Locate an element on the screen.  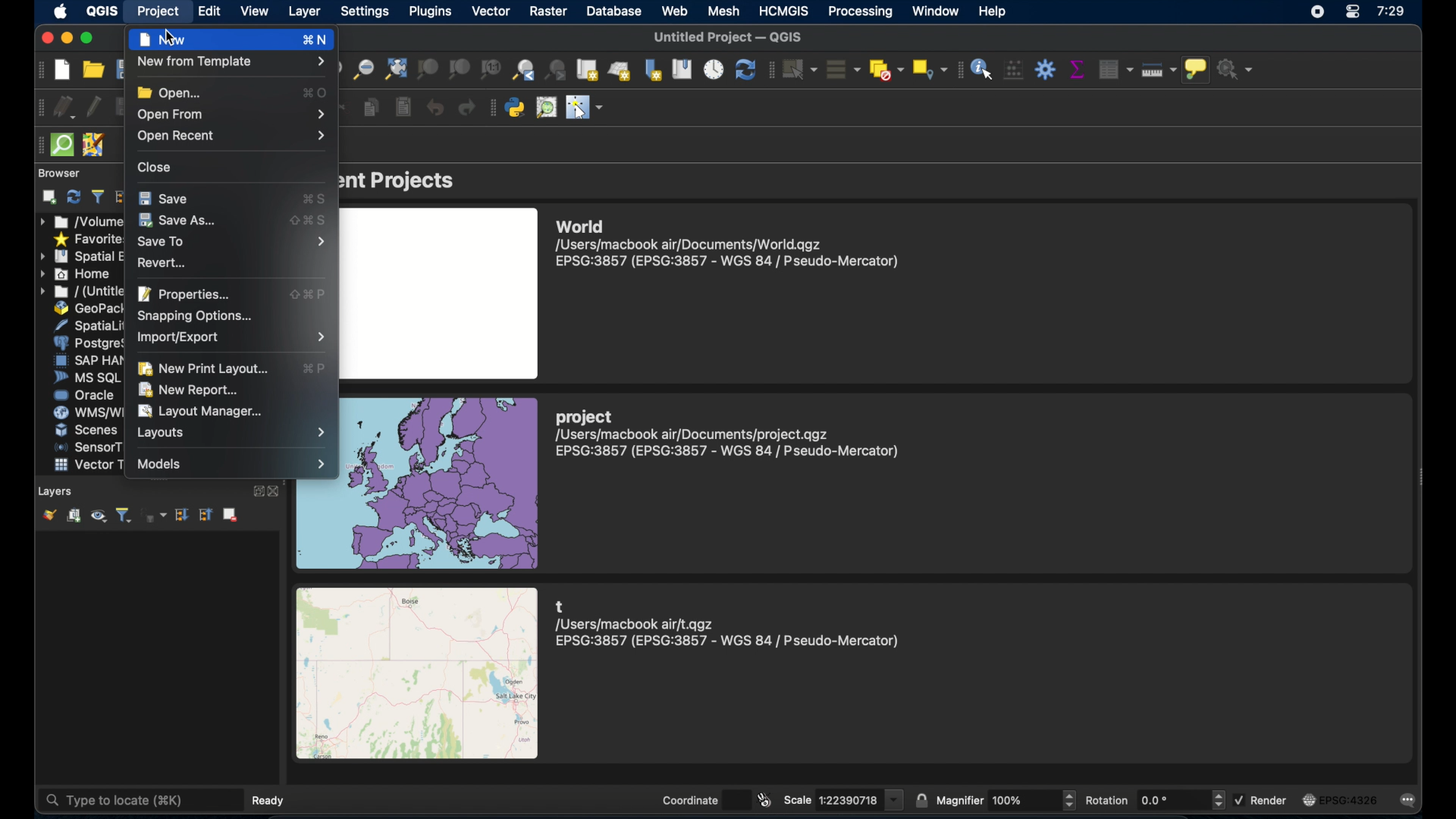
current edits is located at coordinates (66, 108).